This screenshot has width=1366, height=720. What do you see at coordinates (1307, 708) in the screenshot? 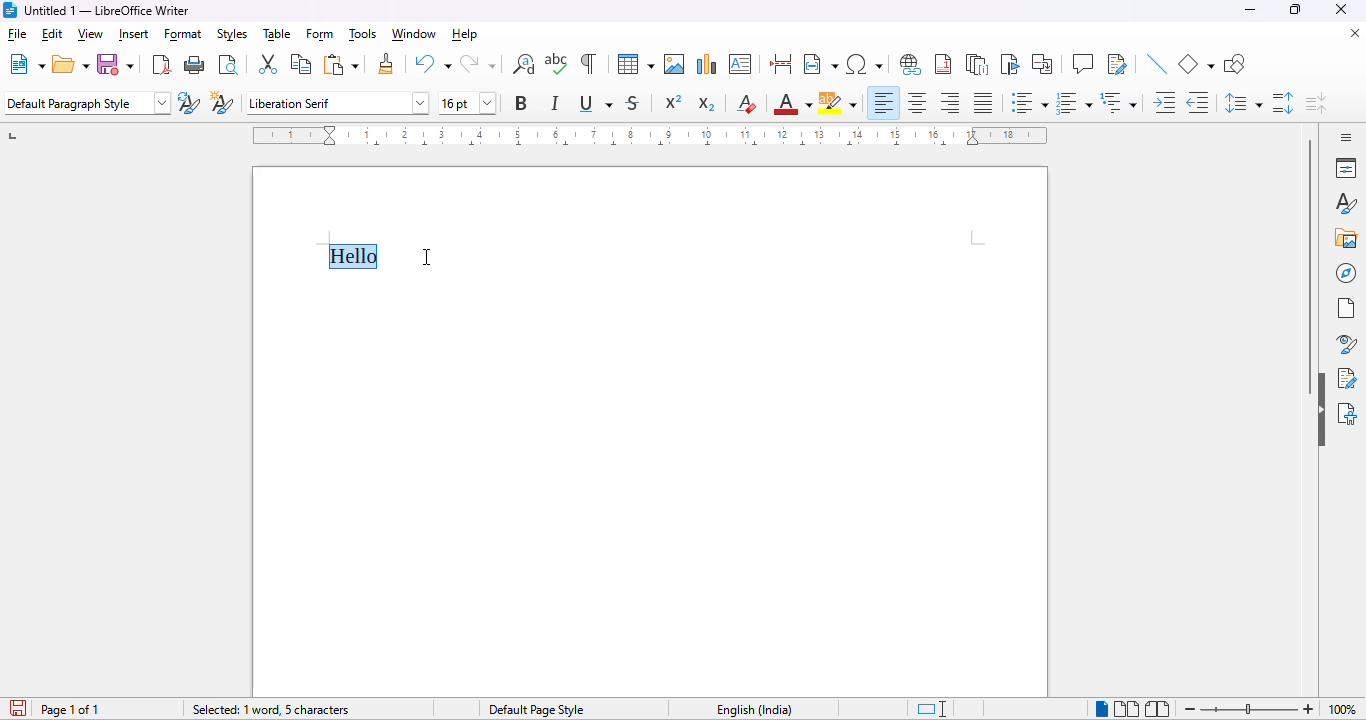
I see `zoom in` at bounding box center [1307, 708].